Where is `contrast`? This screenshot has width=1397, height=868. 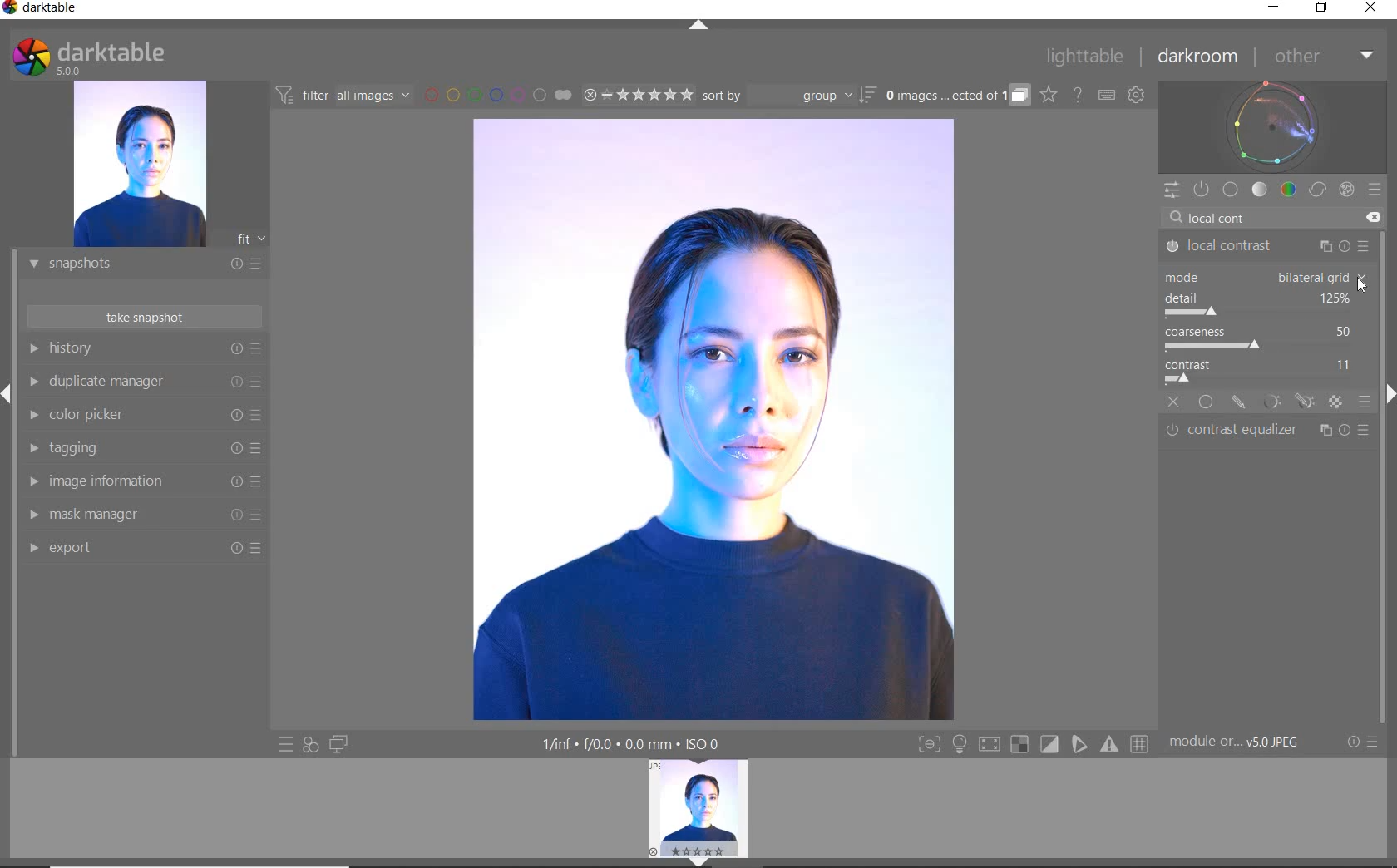 contrast is located at coordinates (1265, 372).